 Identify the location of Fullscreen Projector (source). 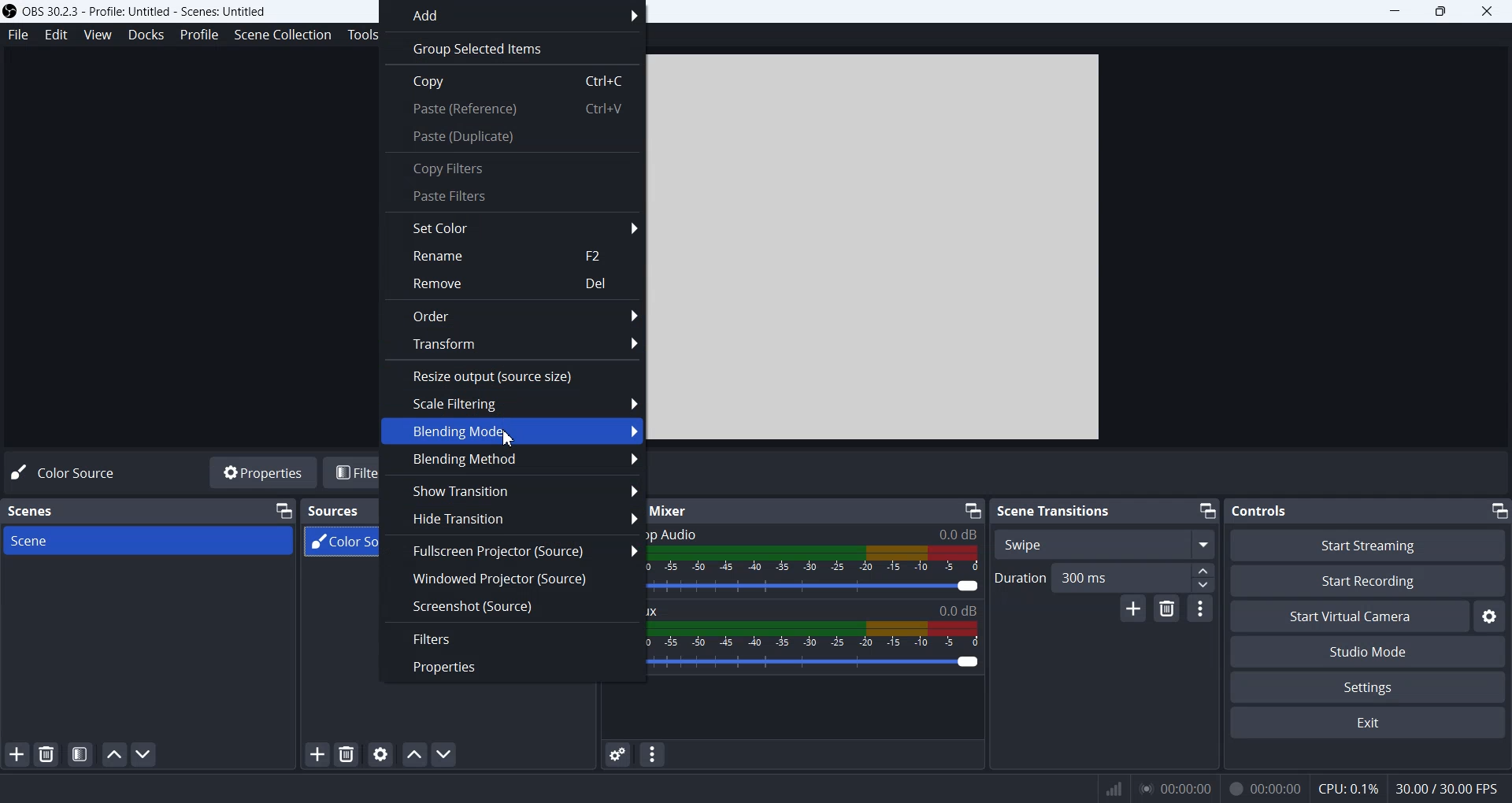
(513, 550).